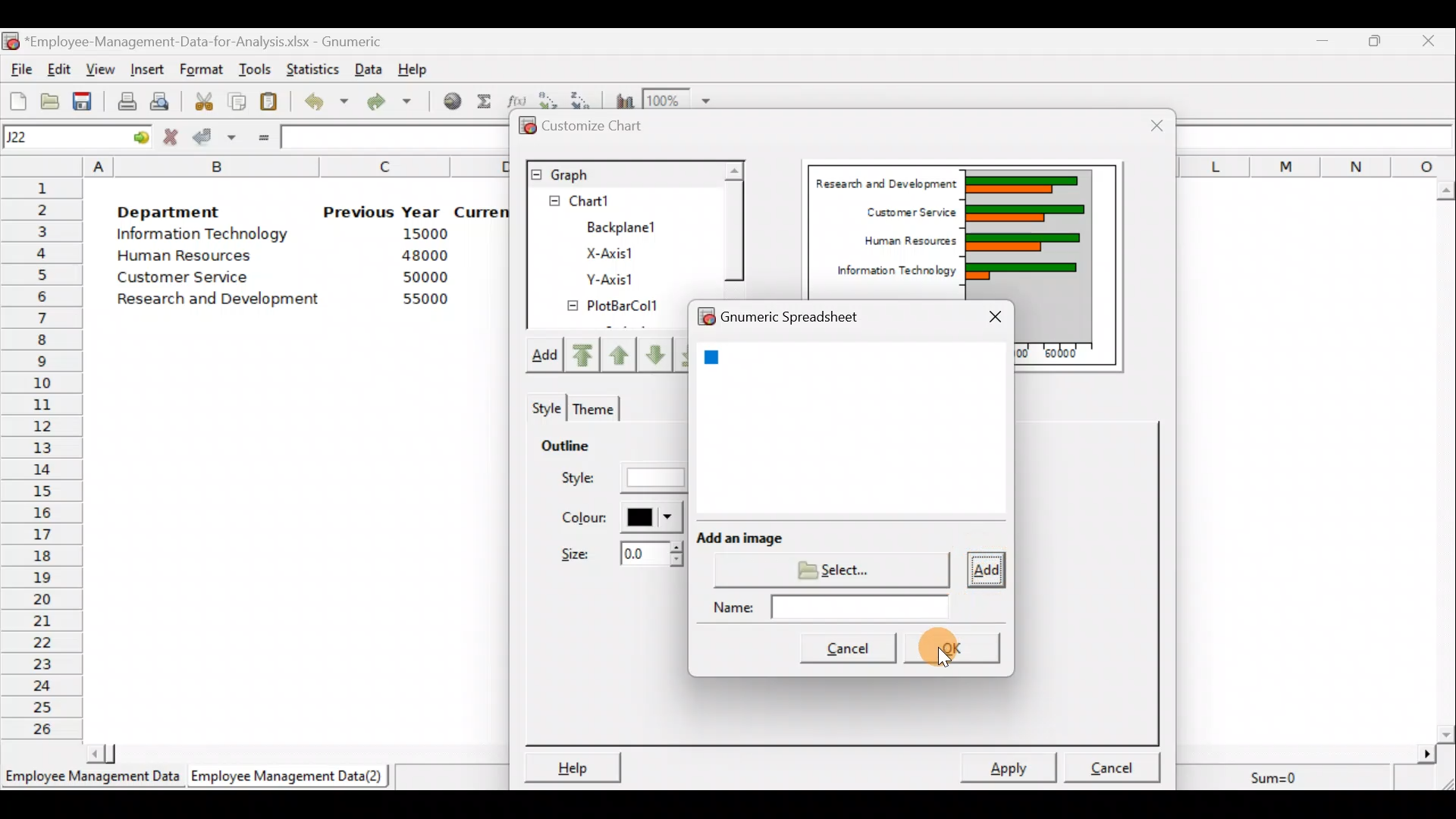 The height and width of the screenshot is (819, 1456). Describe the element at coordinates (161, 101) in the screenshot. I see `Print preview` at that location.